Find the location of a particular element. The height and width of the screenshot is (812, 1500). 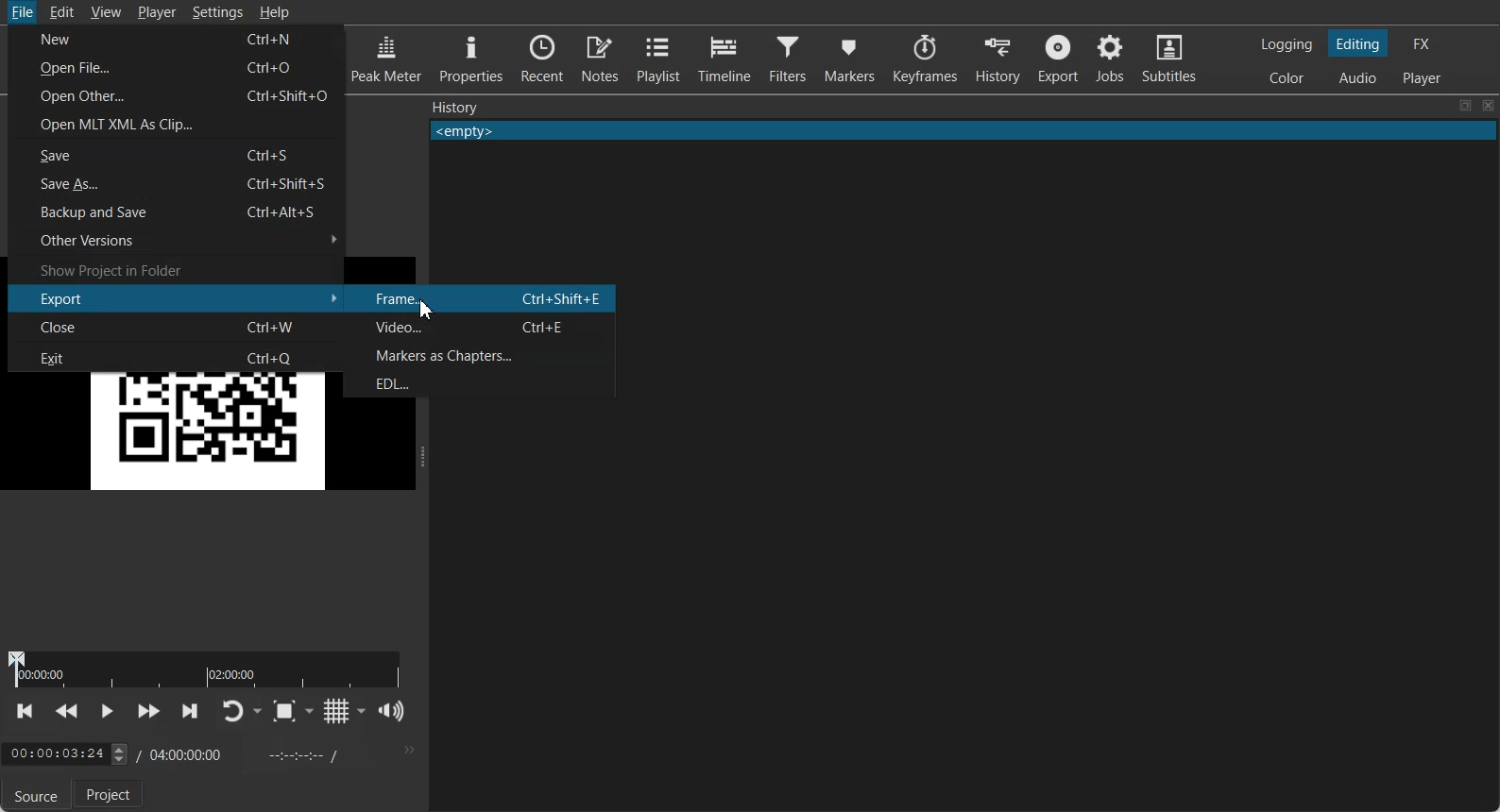

Filters is located at coordinates (787, 57).